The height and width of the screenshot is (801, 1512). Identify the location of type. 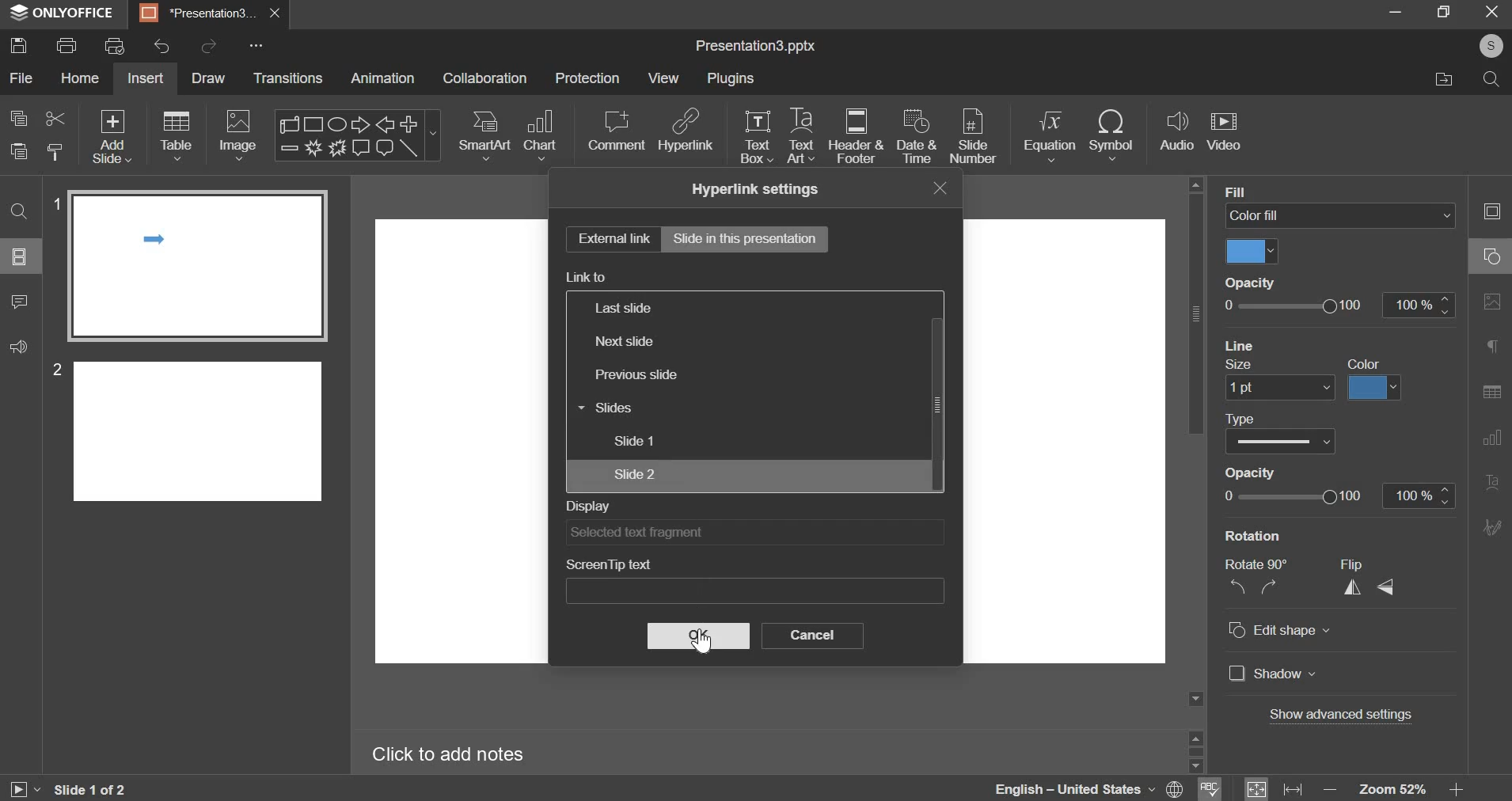
(1241, 419).